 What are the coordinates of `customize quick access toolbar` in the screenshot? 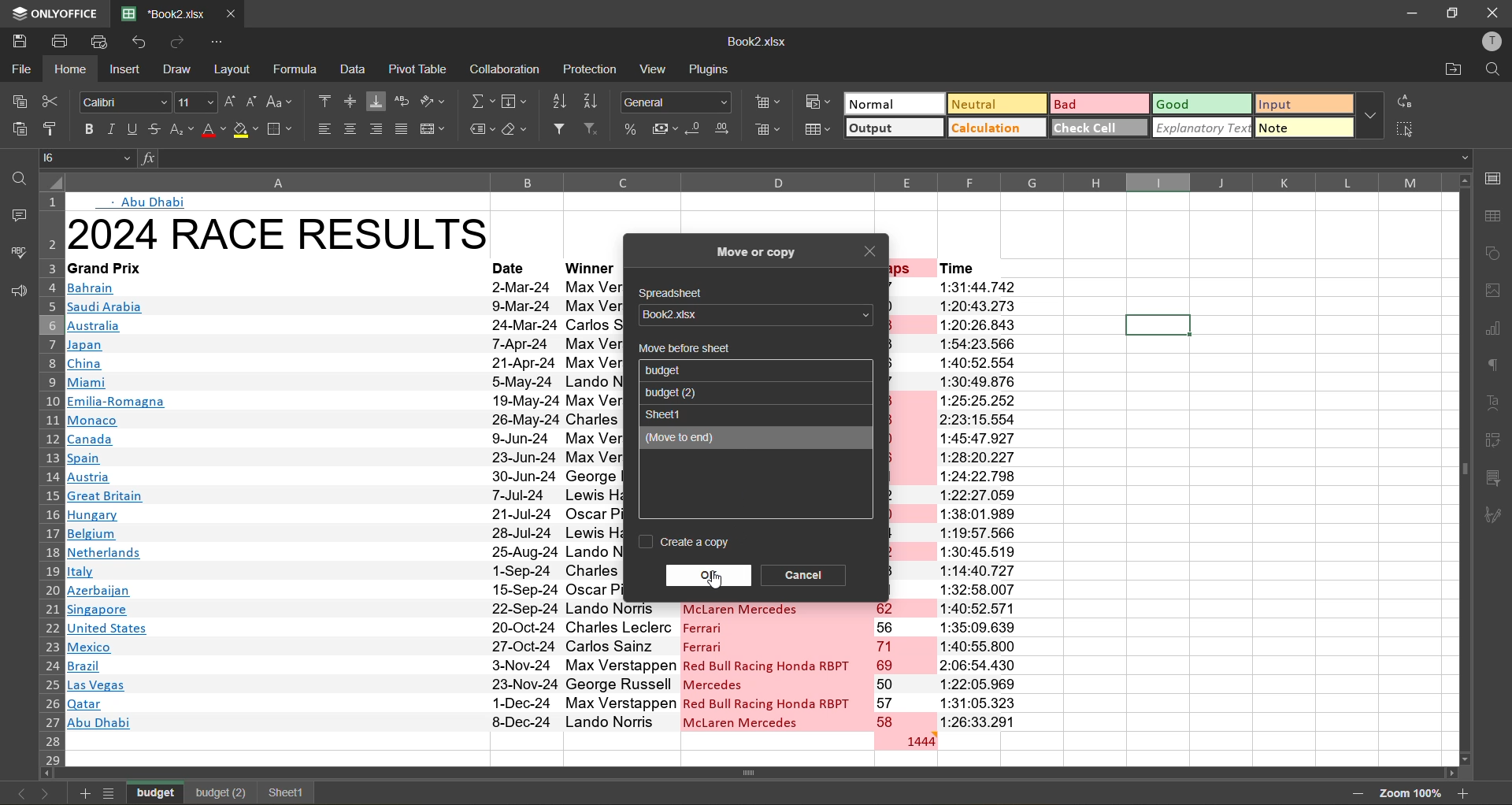 It's located at (217, 42).